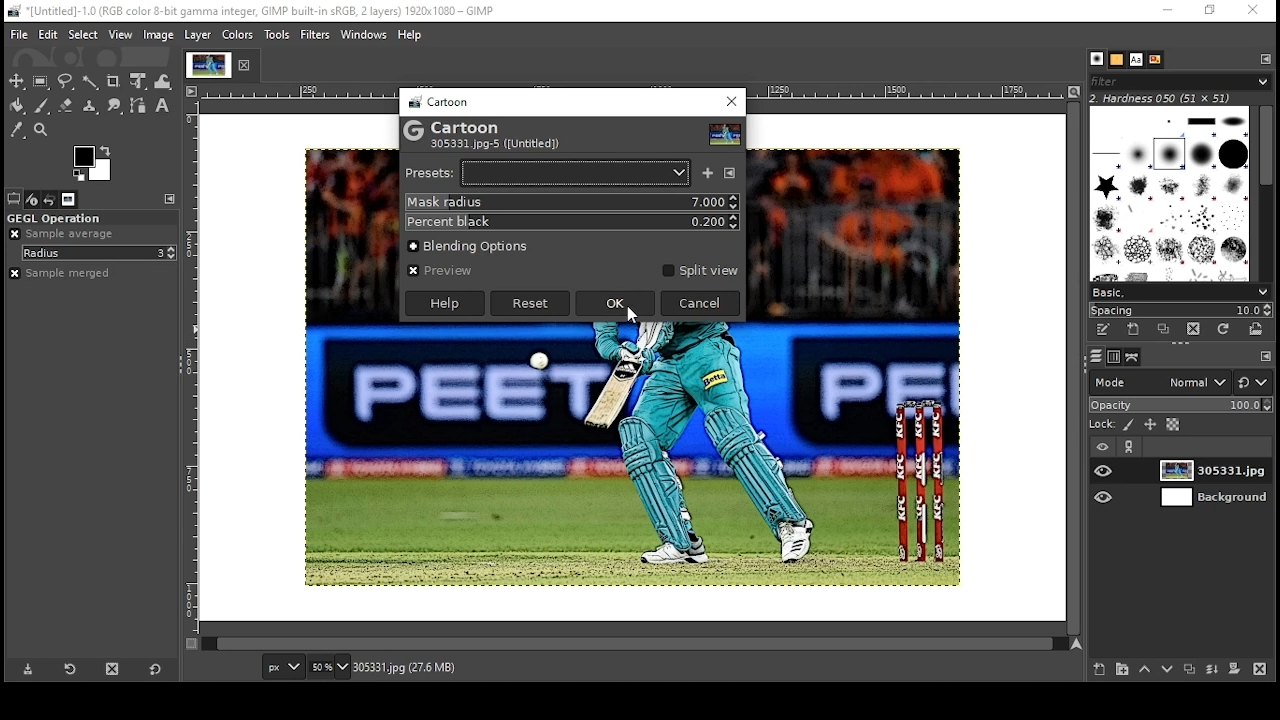 The image size is (1280, 720). What do you see at coordinates (50, 200) in the screenshot?
I see `undo history` at bounding box center [50, 200].